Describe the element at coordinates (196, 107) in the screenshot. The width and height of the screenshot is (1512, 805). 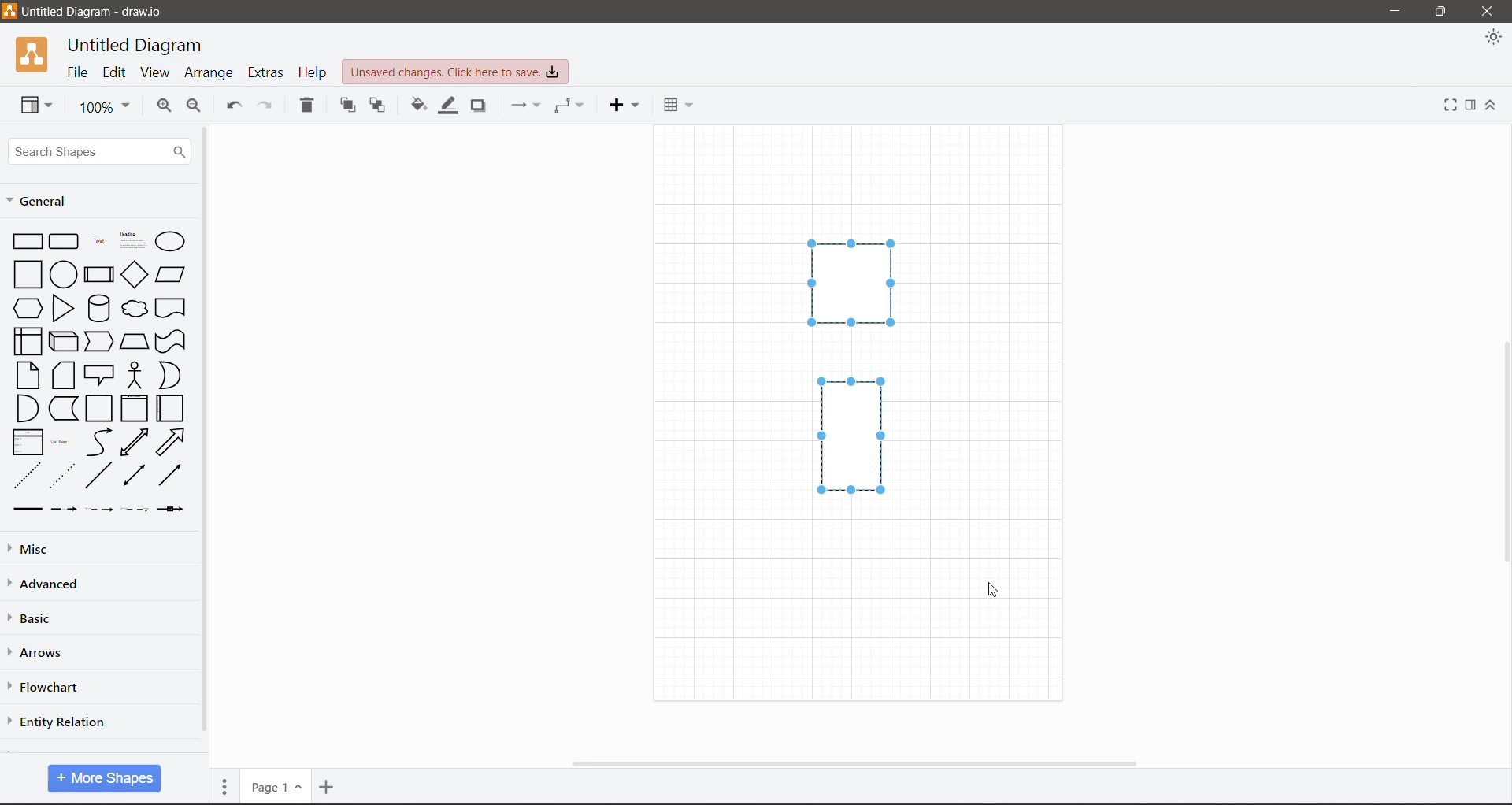
I see `Zoom Out` at that location.